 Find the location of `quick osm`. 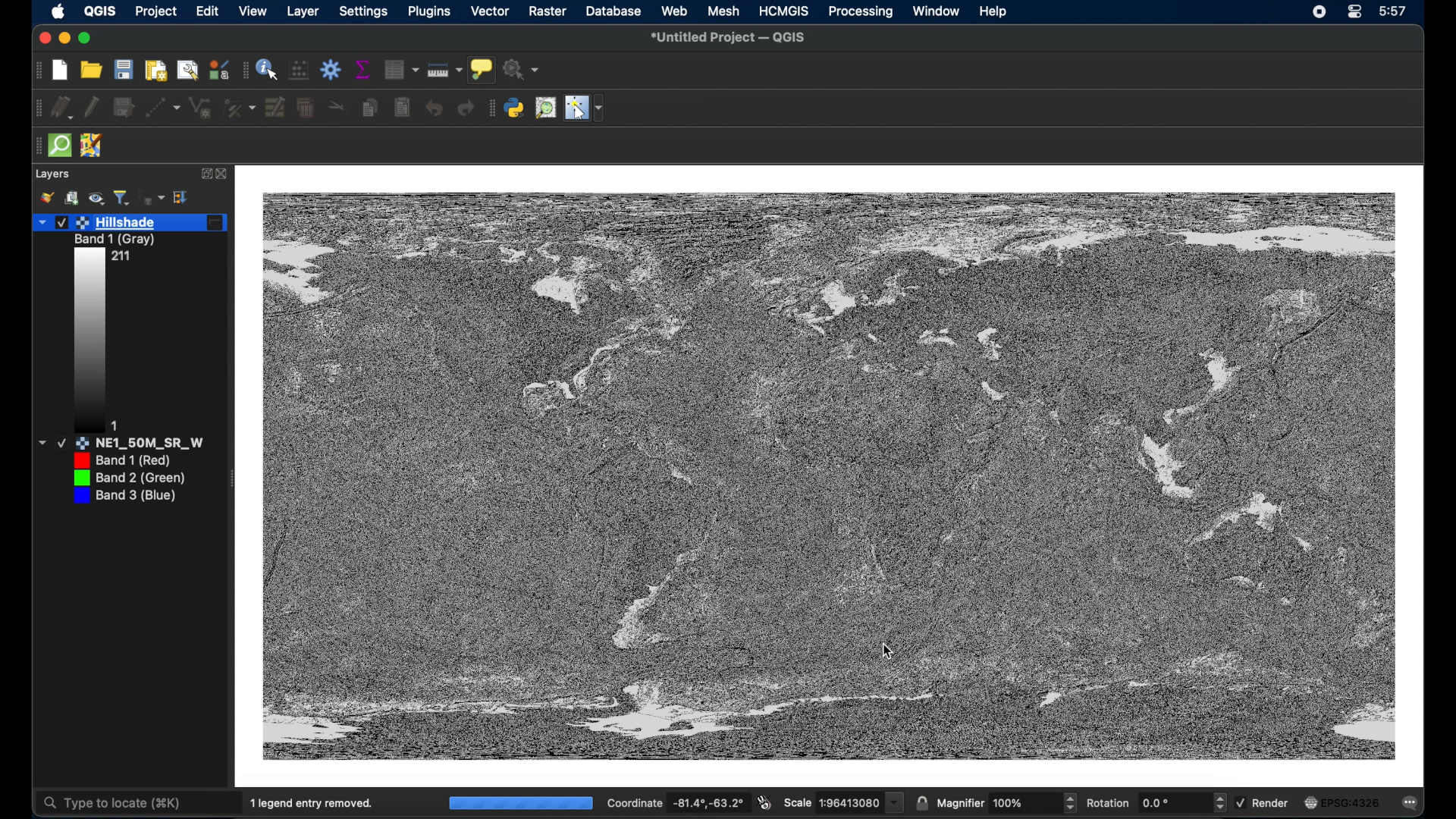

quick osm is located at coordinates (59, 146).